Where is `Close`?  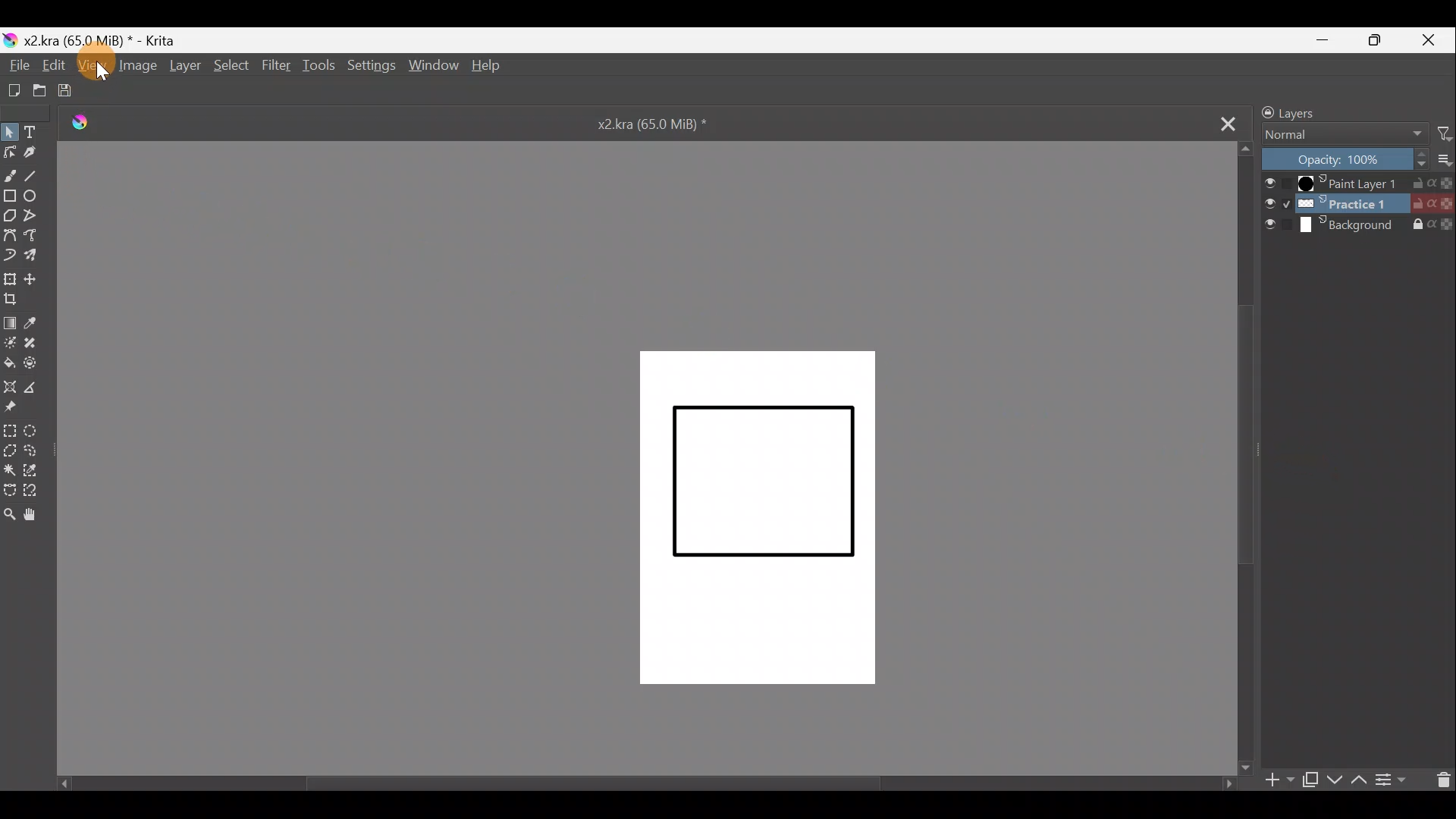 Close is located at coordinates (1432, 39).